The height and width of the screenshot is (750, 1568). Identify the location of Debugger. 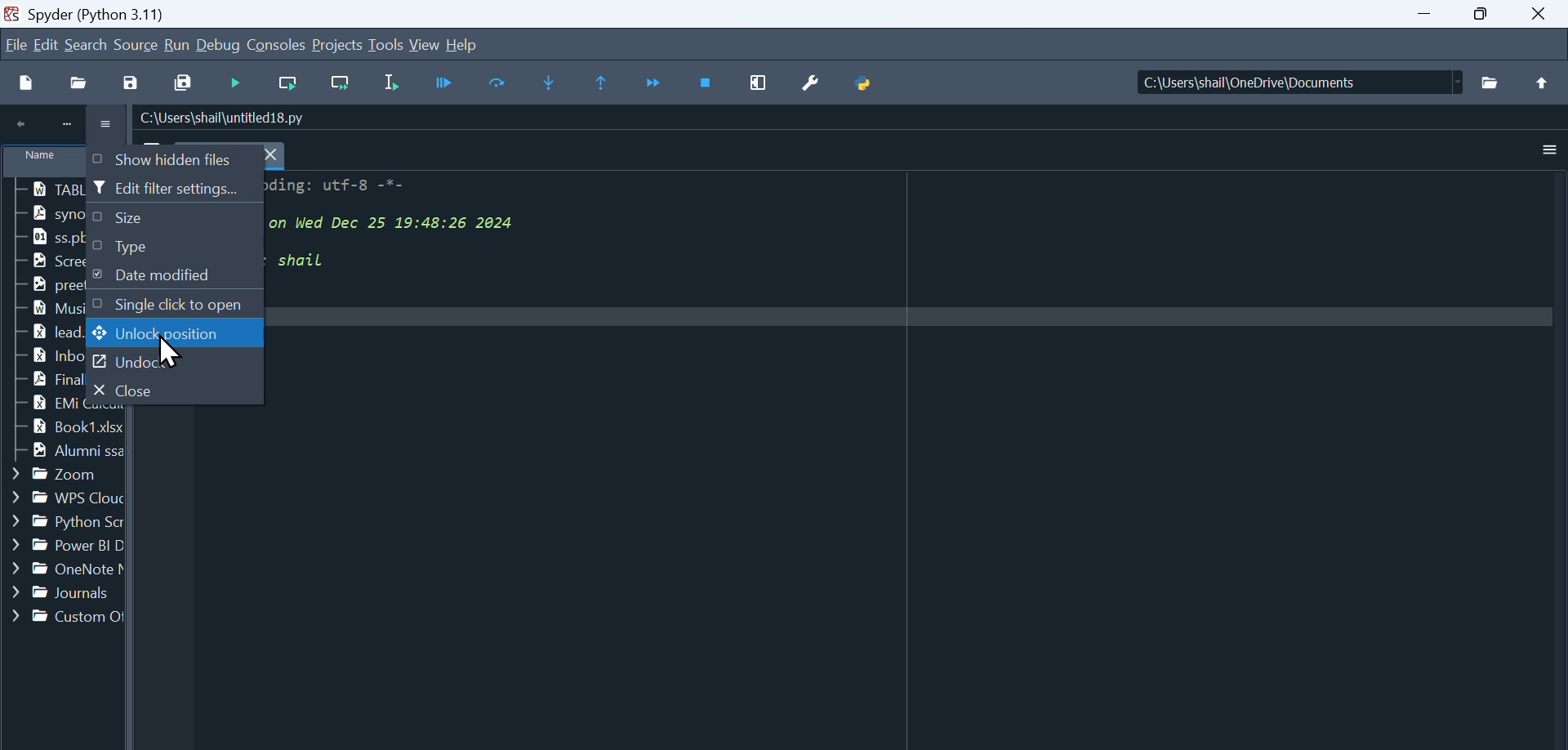
(448, 83).